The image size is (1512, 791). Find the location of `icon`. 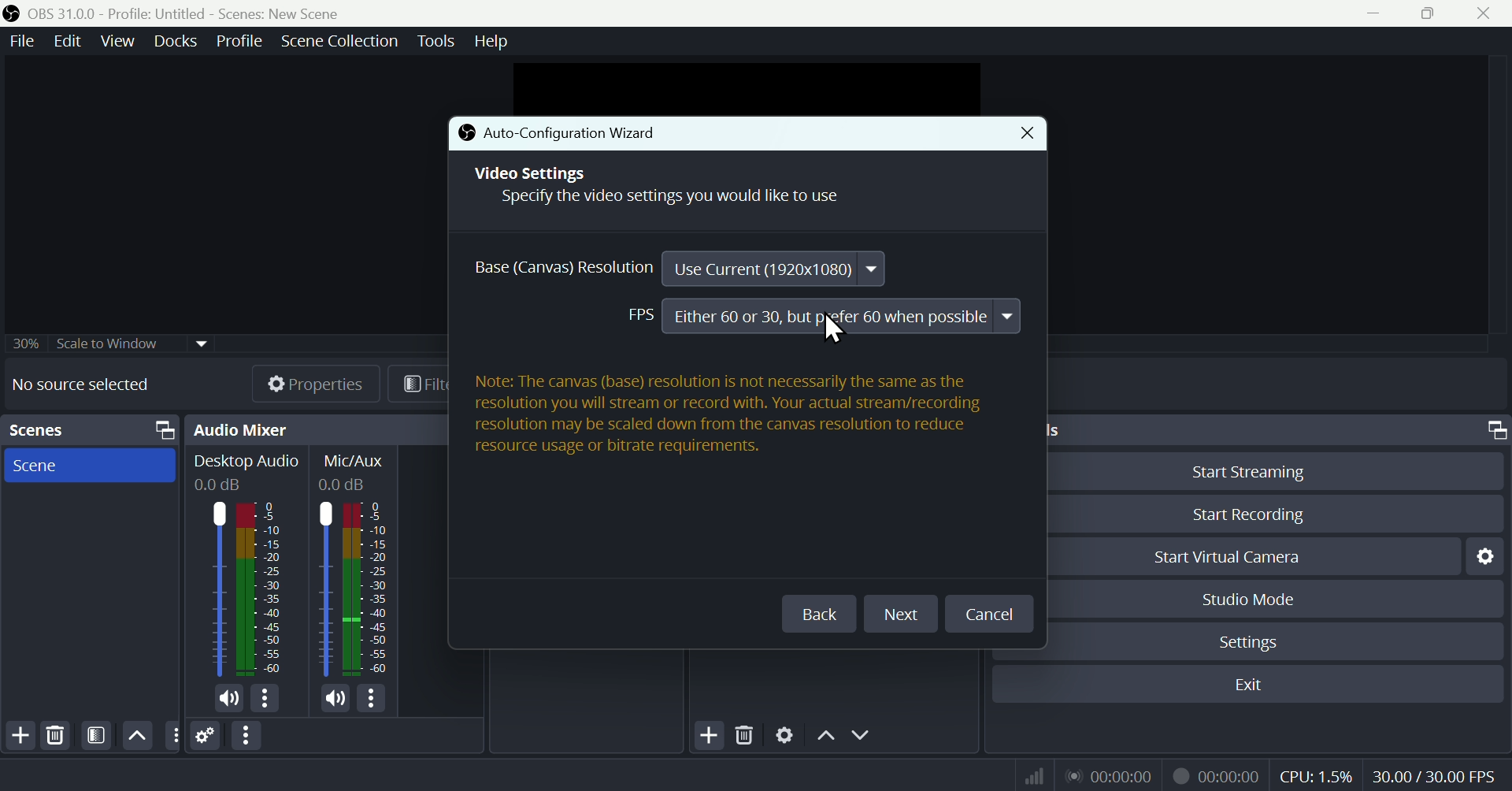

icon is located at coordinates (13, 14).